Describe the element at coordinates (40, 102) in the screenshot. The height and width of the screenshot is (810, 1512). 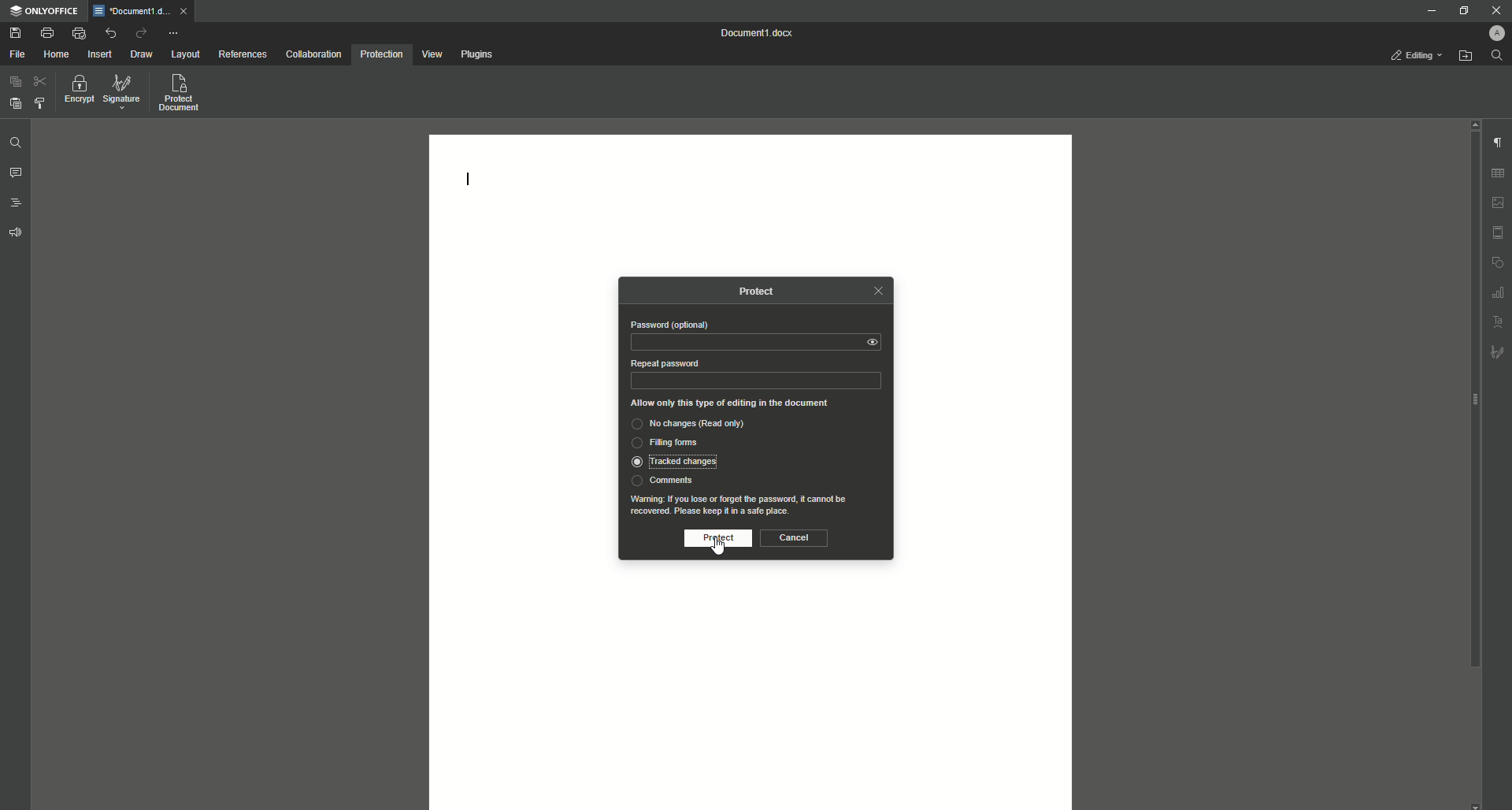
I see `Choose Styling` at that location.